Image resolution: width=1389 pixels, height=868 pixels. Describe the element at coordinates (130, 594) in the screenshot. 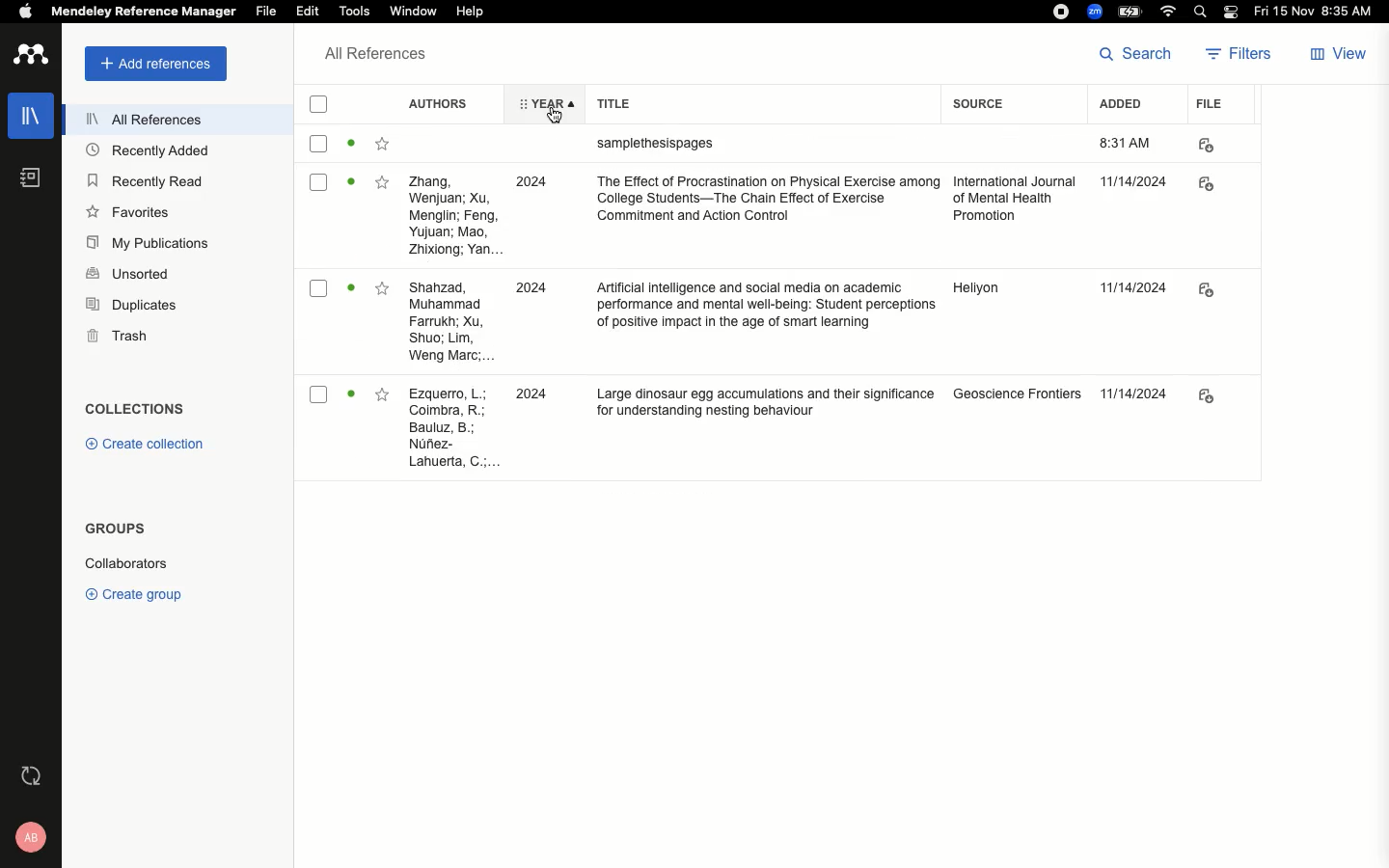

I see `Create group` at that location.